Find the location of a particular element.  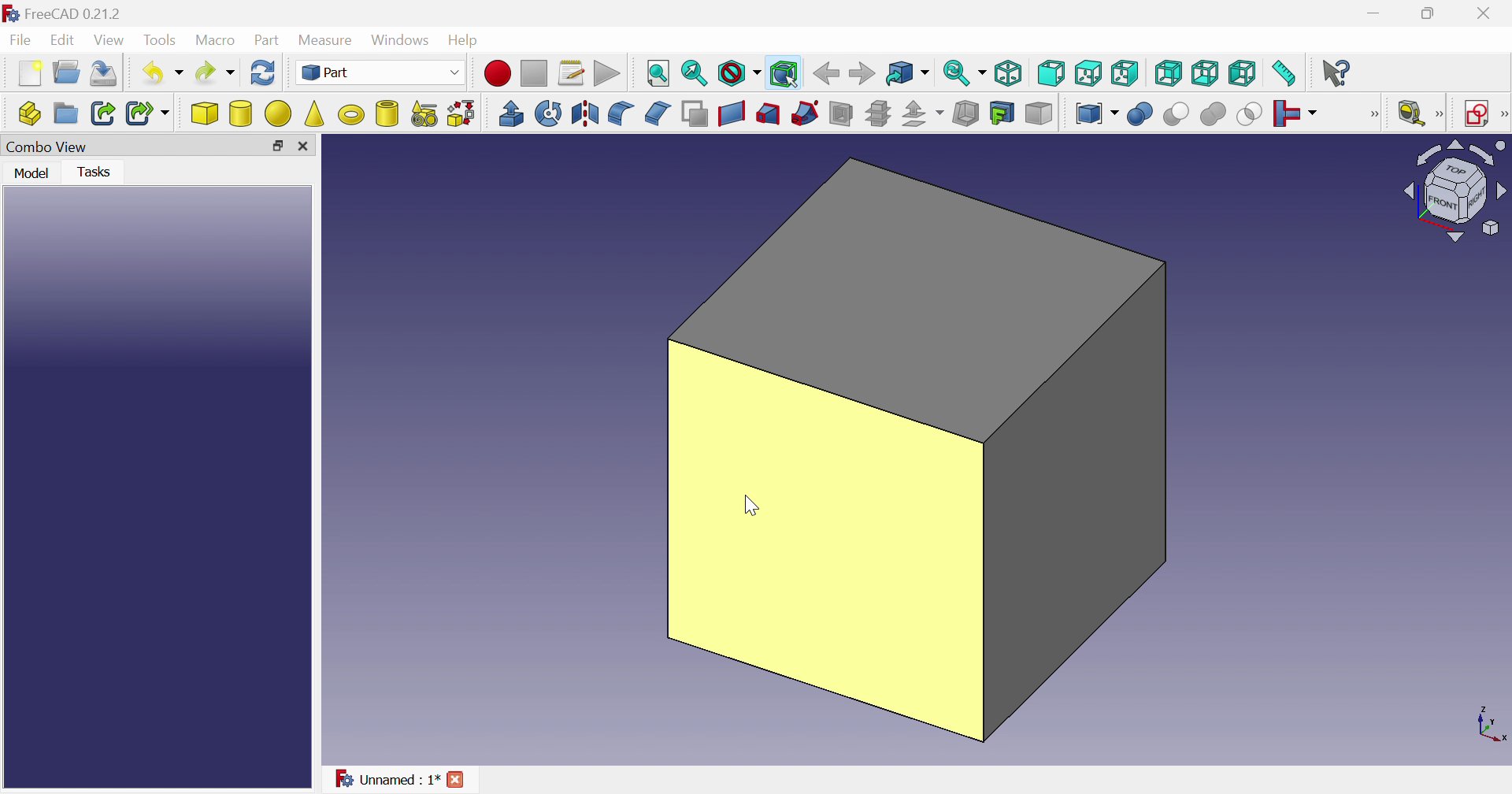

Torus is located at coordinates (350, 114).